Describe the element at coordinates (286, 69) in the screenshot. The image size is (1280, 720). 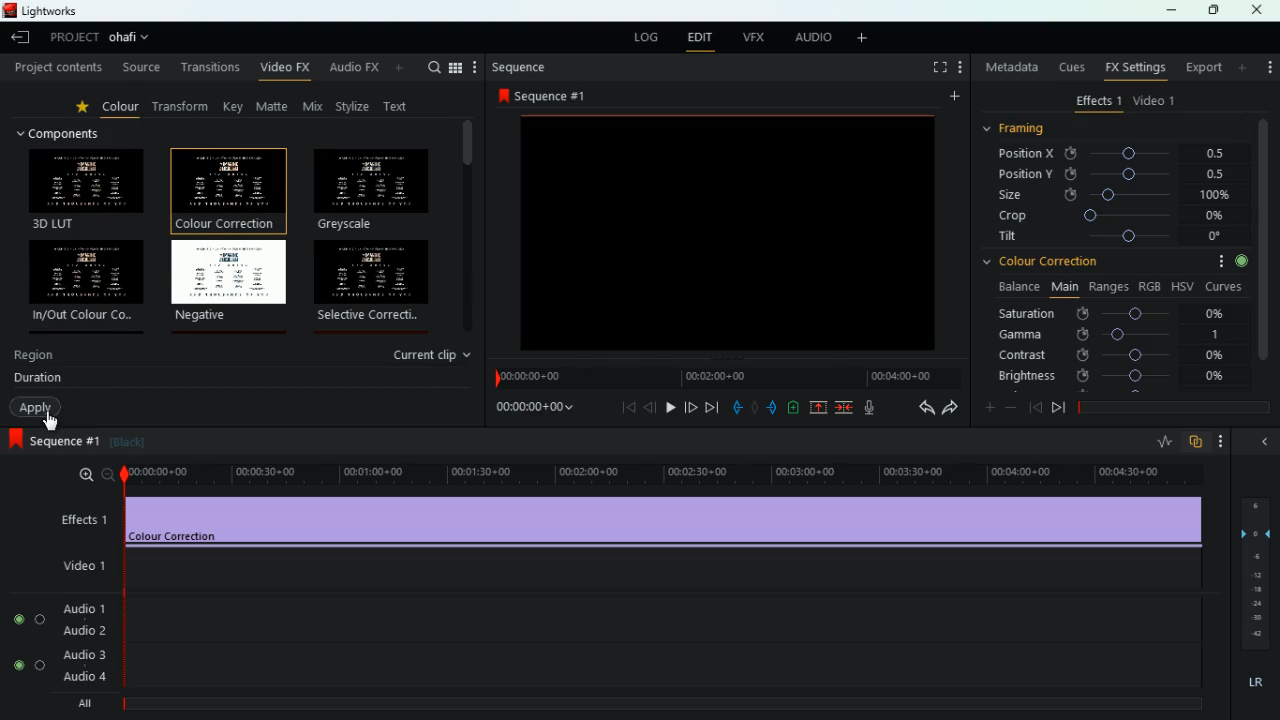
I see `video fx` at that location.